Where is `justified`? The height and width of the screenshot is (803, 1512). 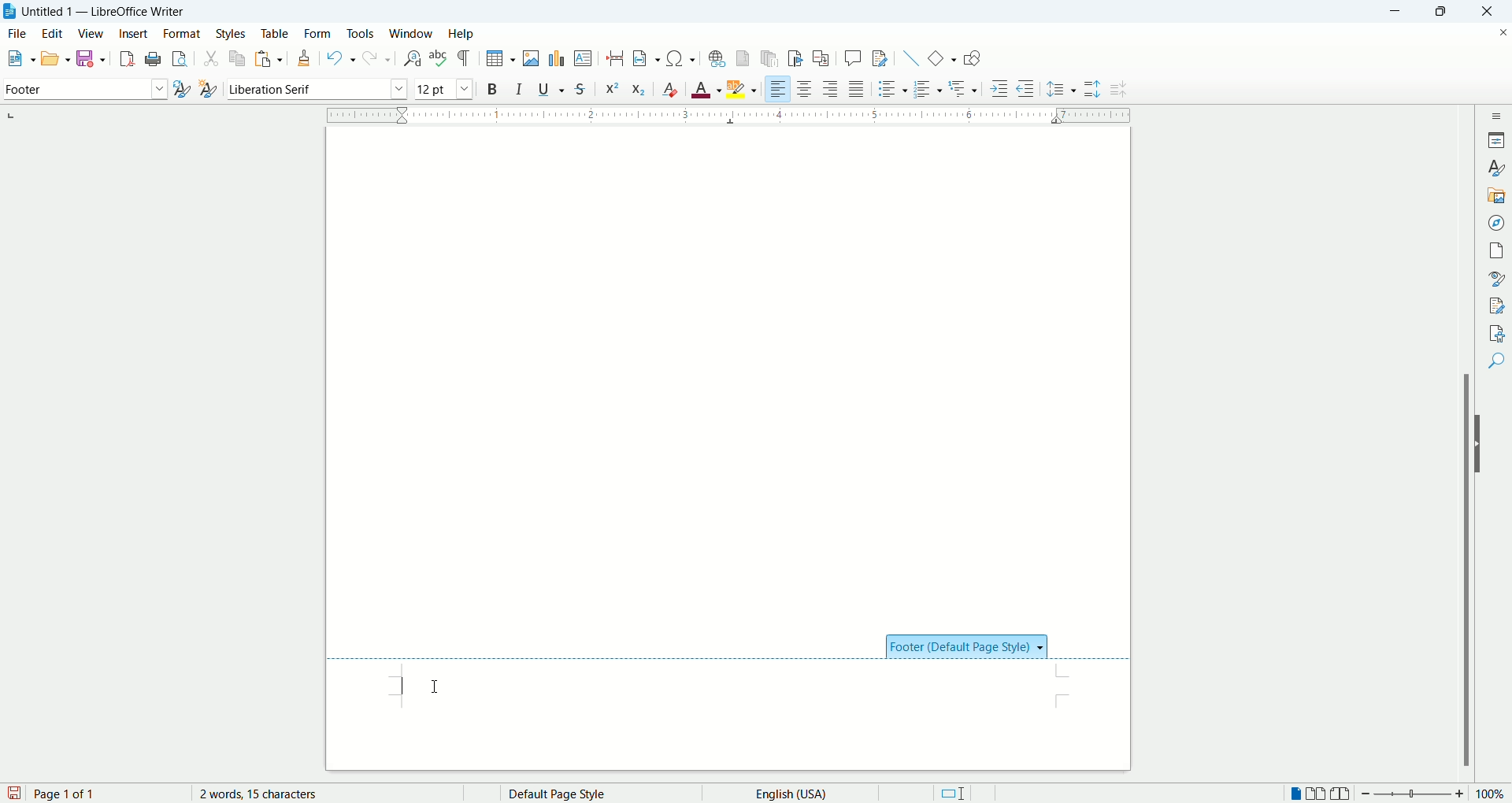 justified is located at coordinates (858, 89).